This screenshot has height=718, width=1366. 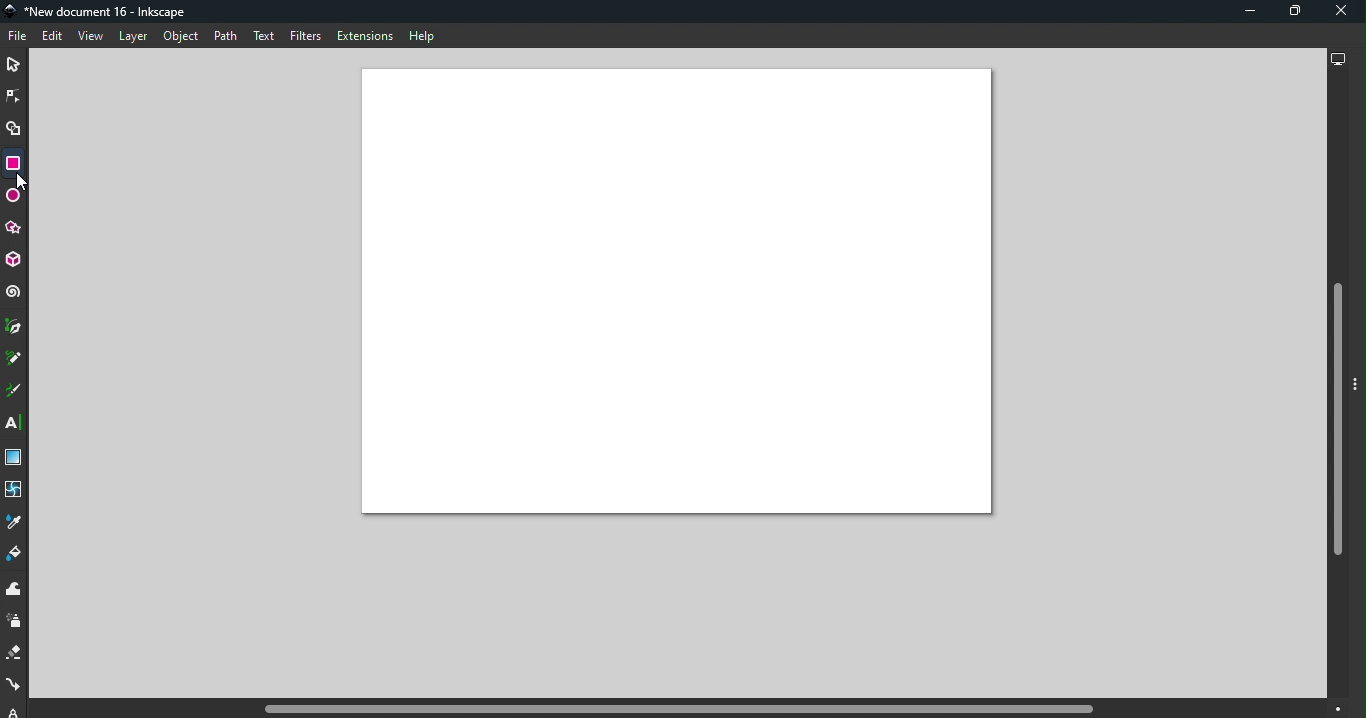 I want to click on Object, so click(x=181, y=37).